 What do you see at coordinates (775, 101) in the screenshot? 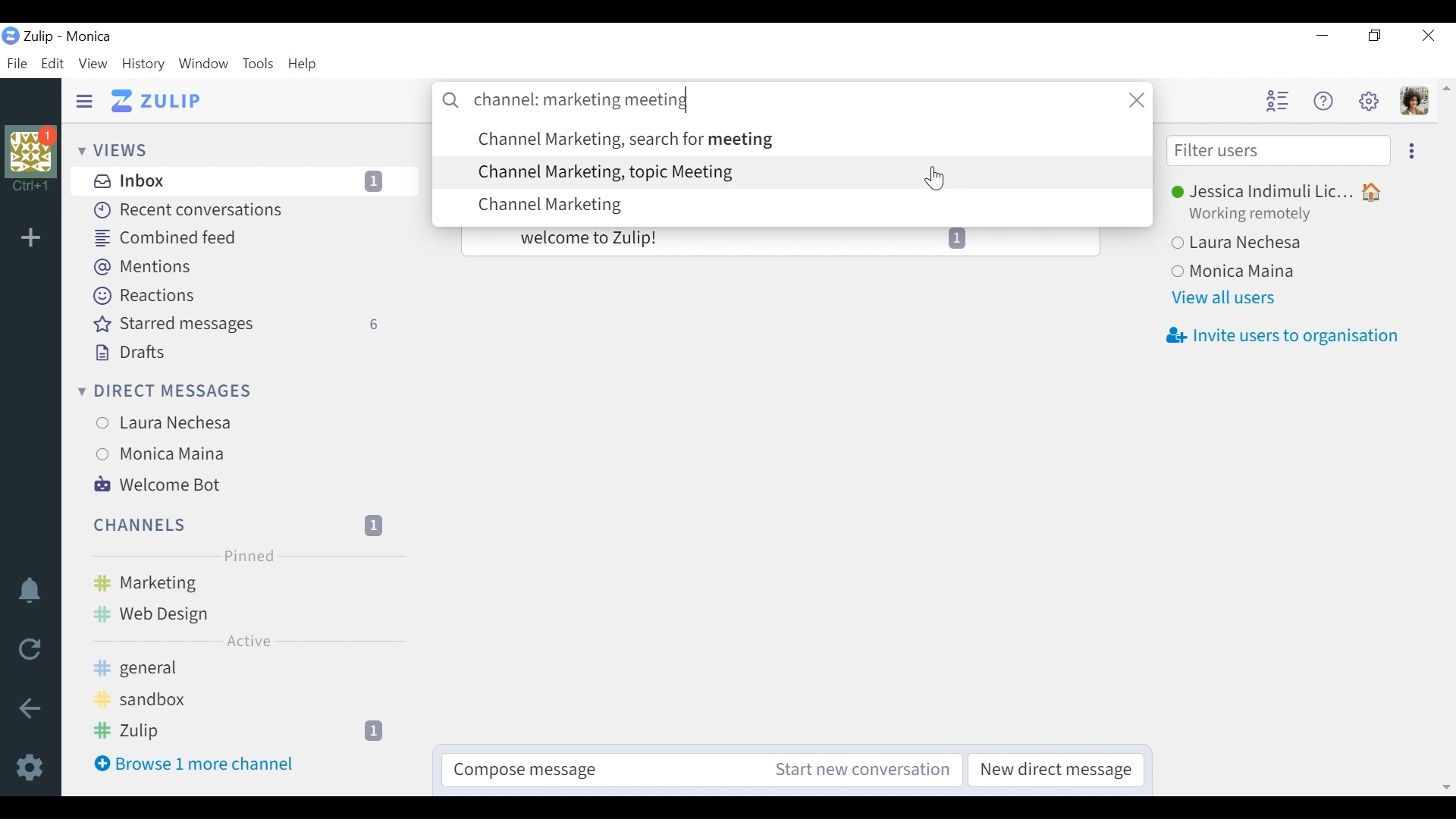
I see `channel: marketing meeting` at bounding box center [775, 101].